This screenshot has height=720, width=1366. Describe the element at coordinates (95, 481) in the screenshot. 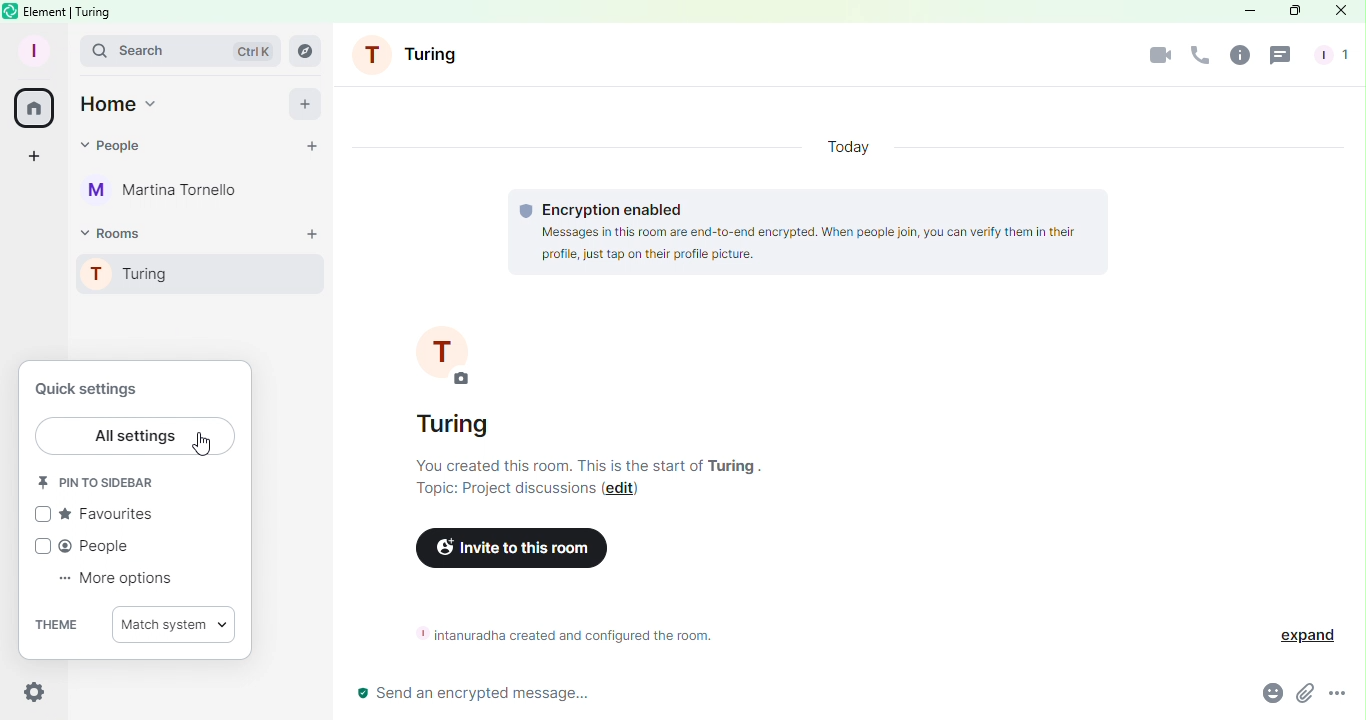

I see `Pin to sidebar` at that location.